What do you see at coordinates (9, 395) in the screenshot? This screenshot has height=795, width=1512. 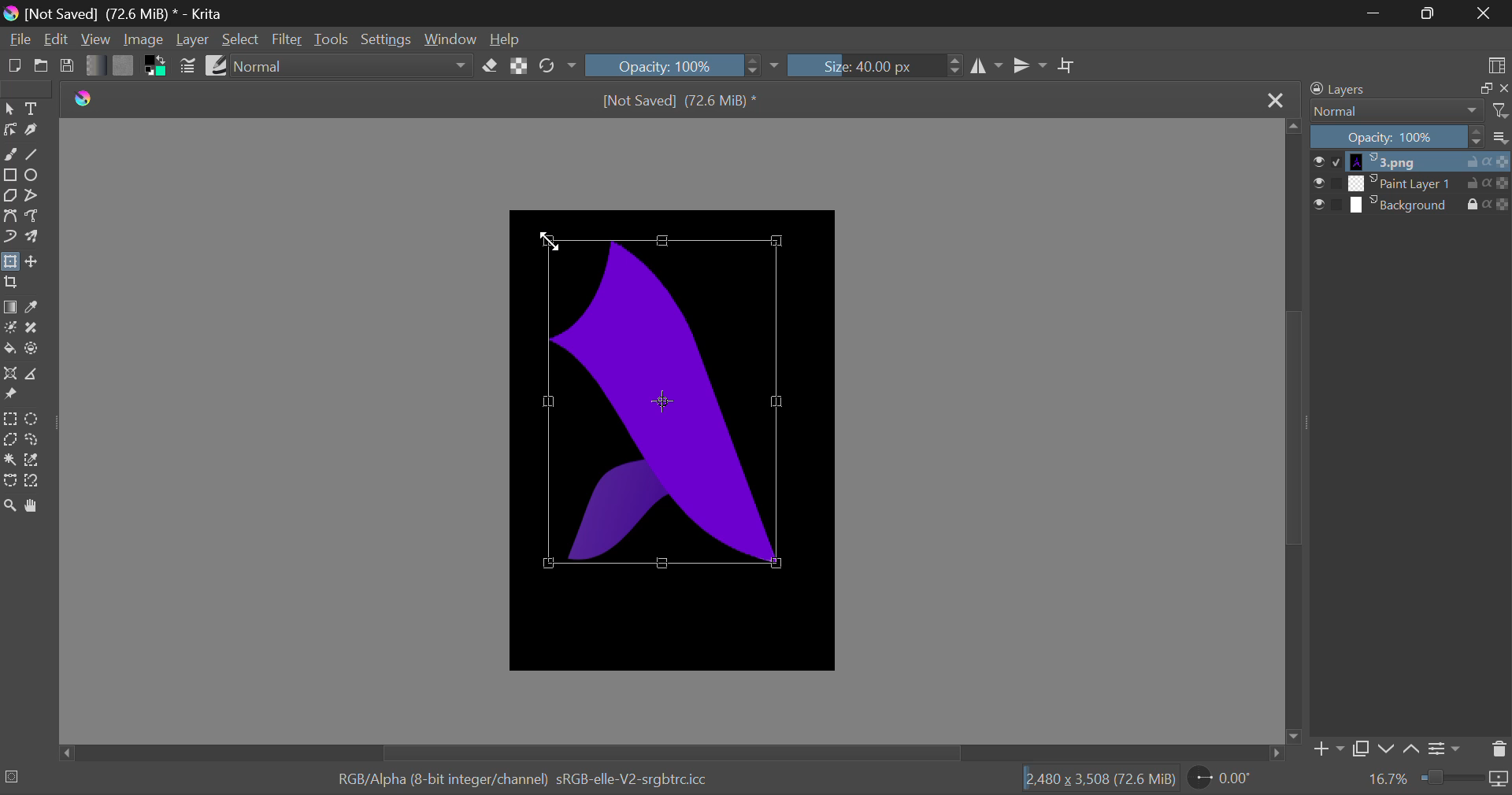 I see `Reference Images` at bounding box center [9, 395].